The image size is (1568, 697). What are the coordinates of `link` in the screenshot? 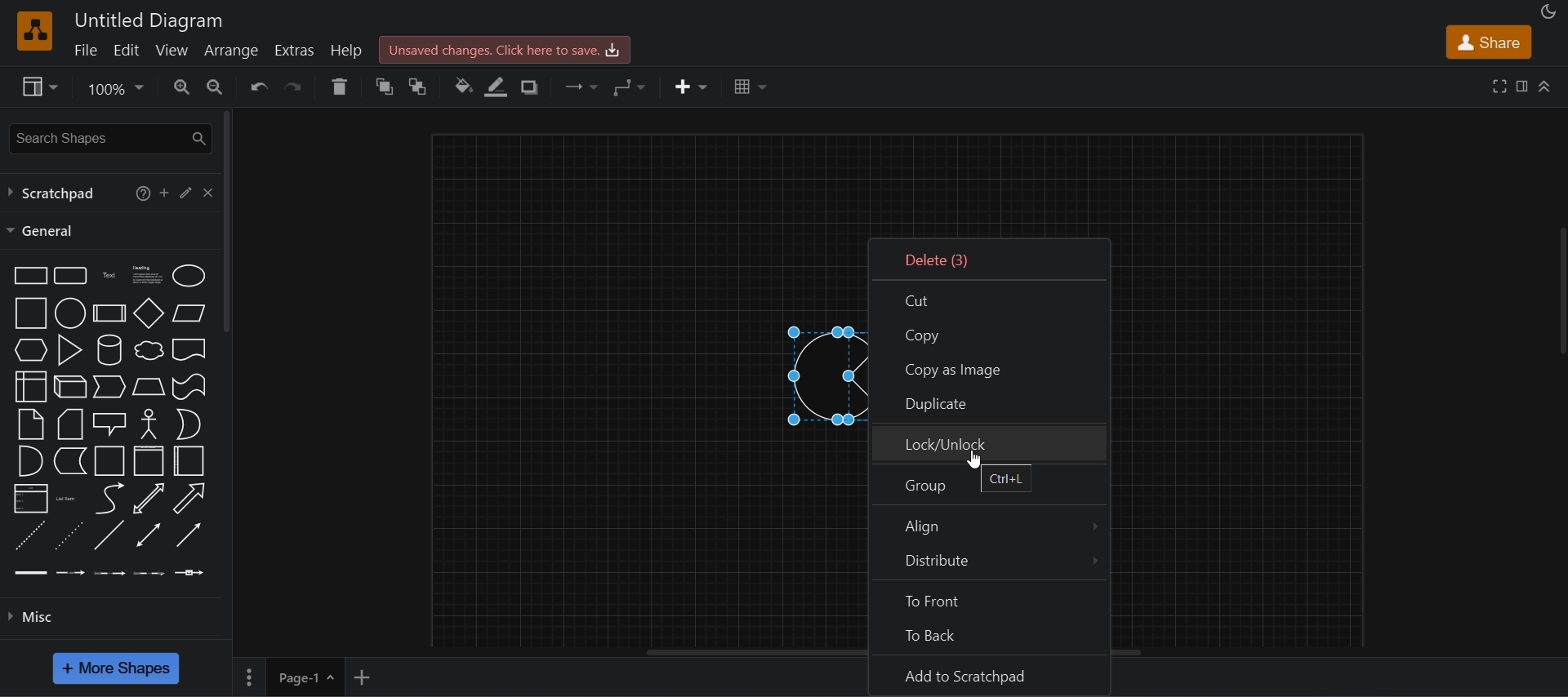 It's located at (31, 571).